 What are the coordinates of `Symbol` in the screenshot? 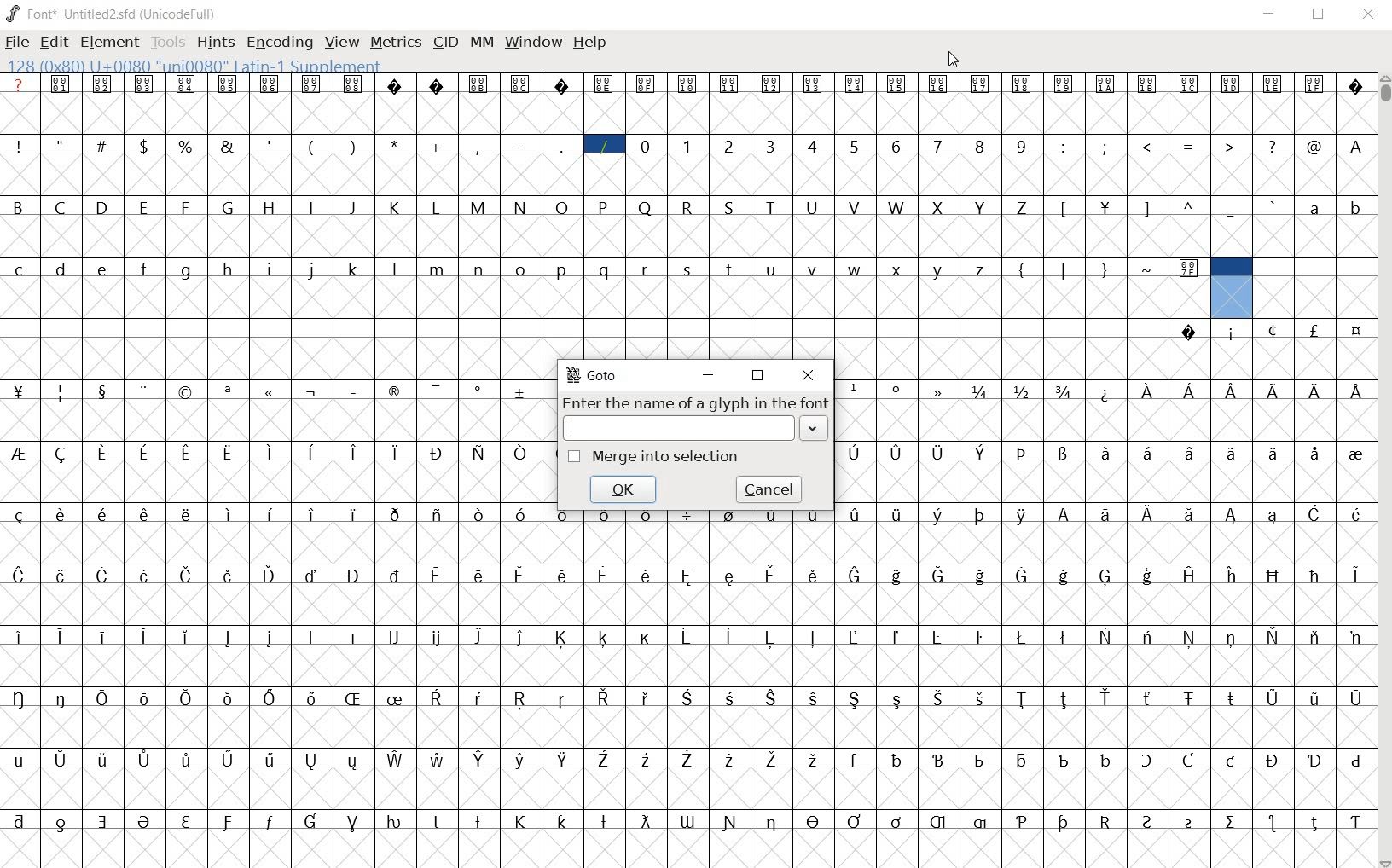 It's located at (815, 758).